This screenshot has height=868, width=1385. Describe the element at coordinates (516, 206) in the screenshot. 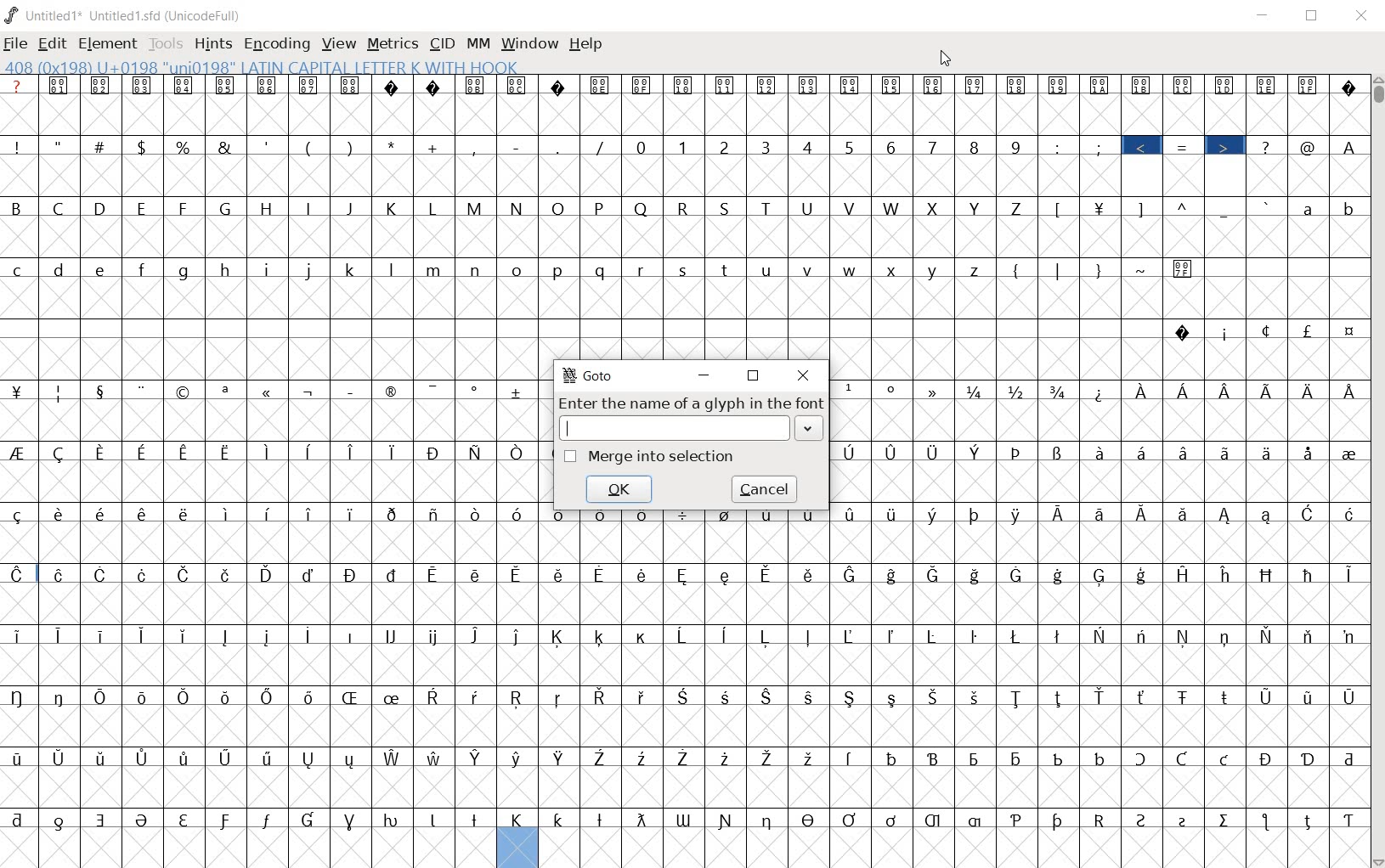

I see `capital letters B - Z` at that location.